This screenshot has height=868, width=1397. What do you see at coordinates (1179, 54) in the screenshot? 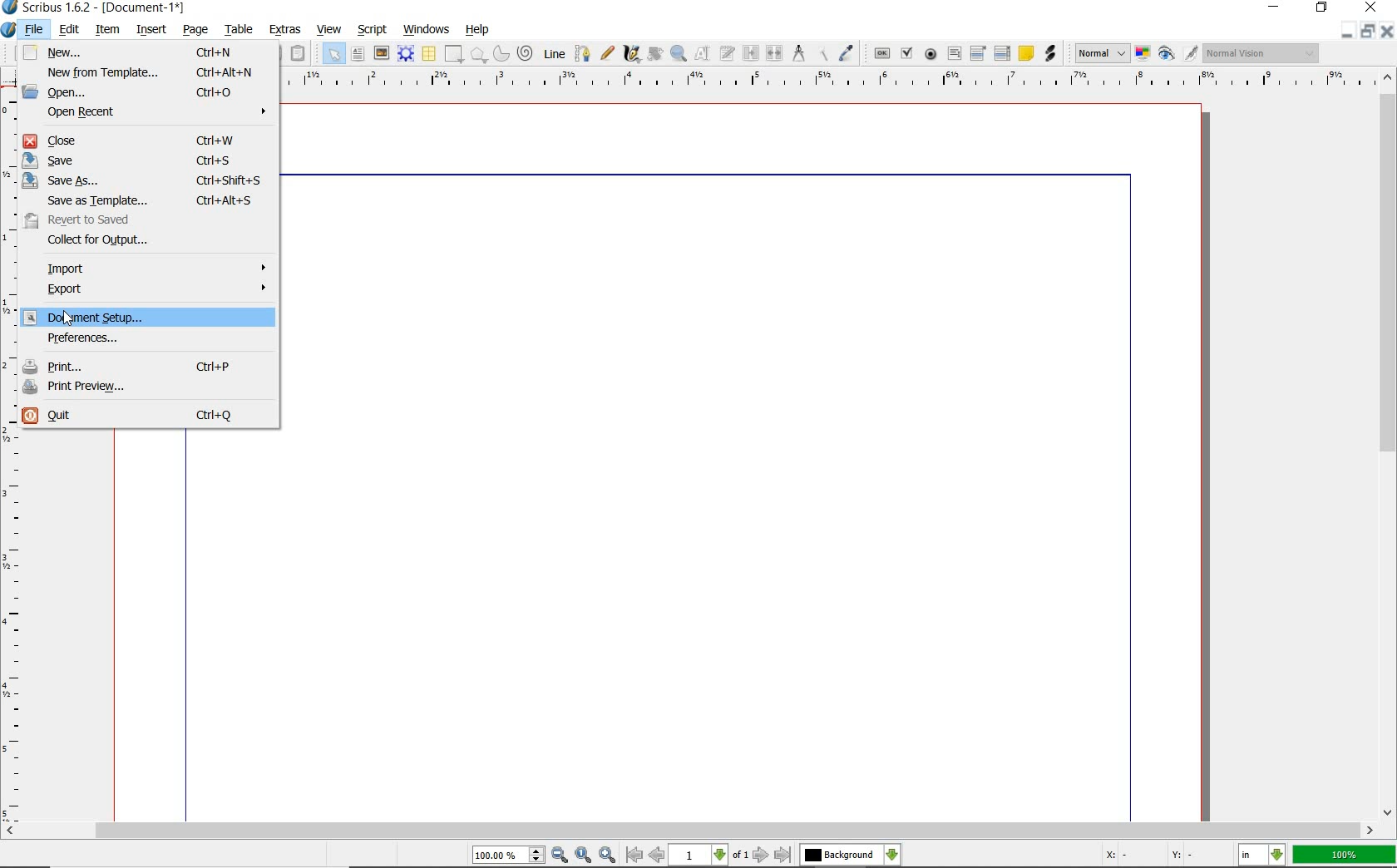
I see `preview mode` at bounding box center [1179, 54].